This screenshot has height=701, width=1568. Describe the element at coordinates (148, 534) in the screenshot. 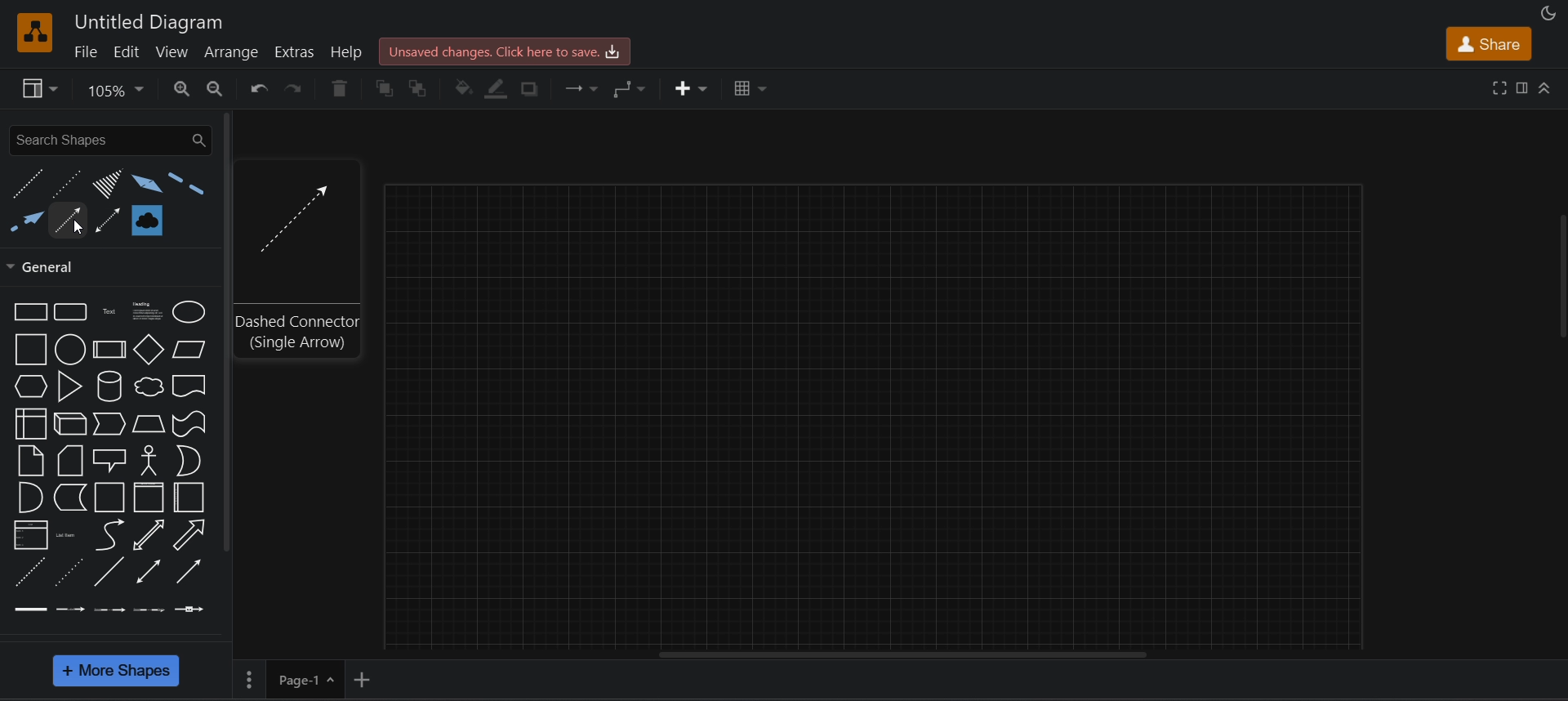

I see `bidirectional arrow` at that location.